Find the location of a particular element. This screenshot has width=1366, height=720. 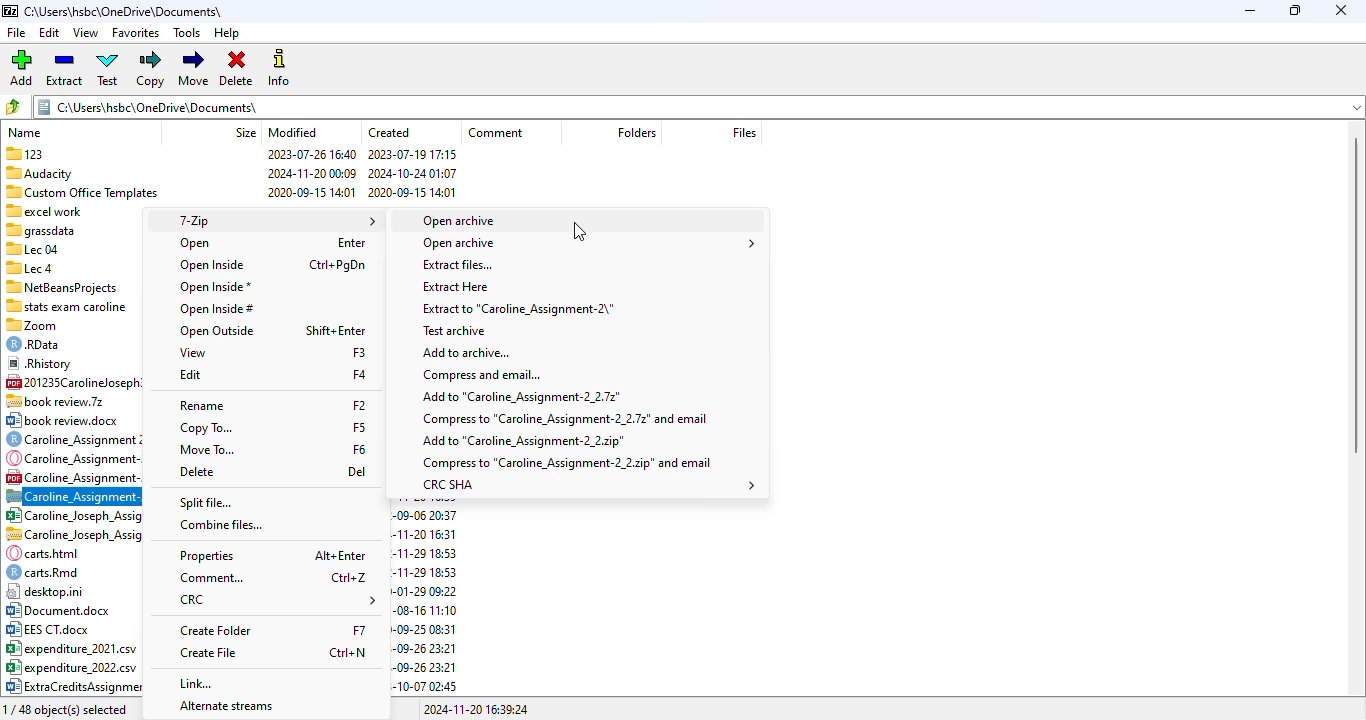

modified is located at coordinates (292, 132).